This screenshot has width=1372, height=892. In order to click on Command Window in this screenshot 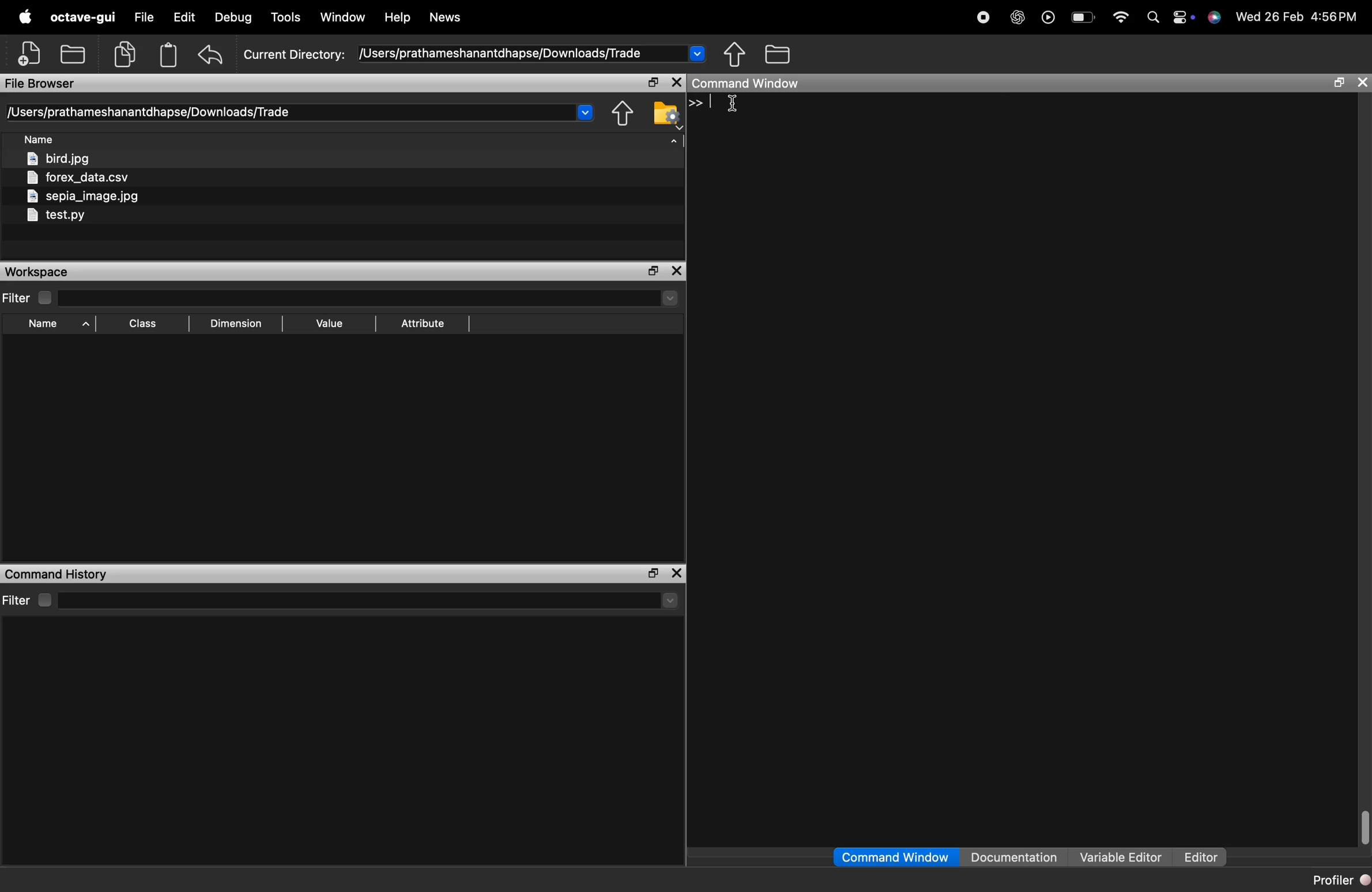, I will do `click(750, 84)`.